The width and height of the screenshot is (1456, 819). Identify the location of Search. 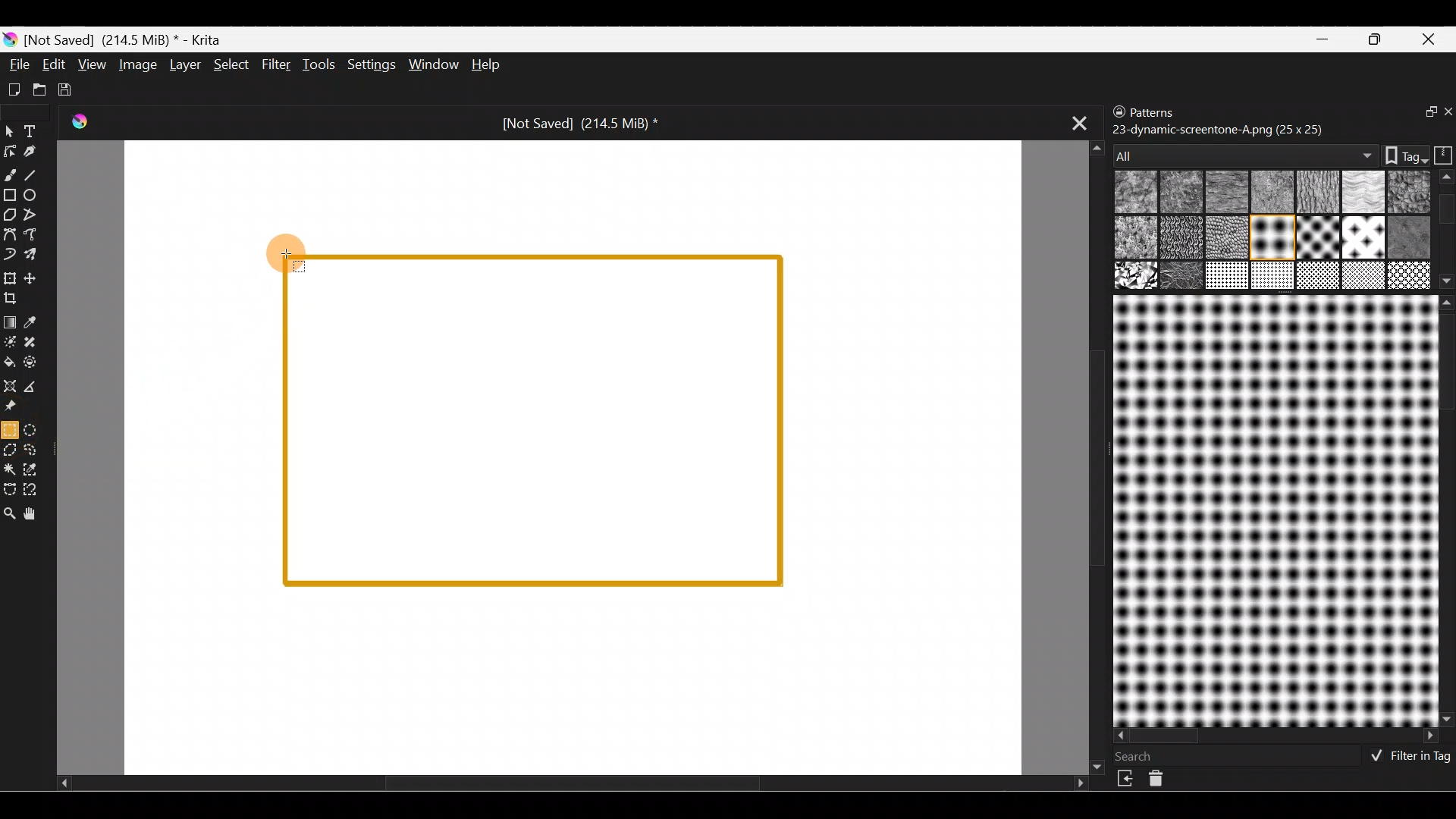
(1143, 756).